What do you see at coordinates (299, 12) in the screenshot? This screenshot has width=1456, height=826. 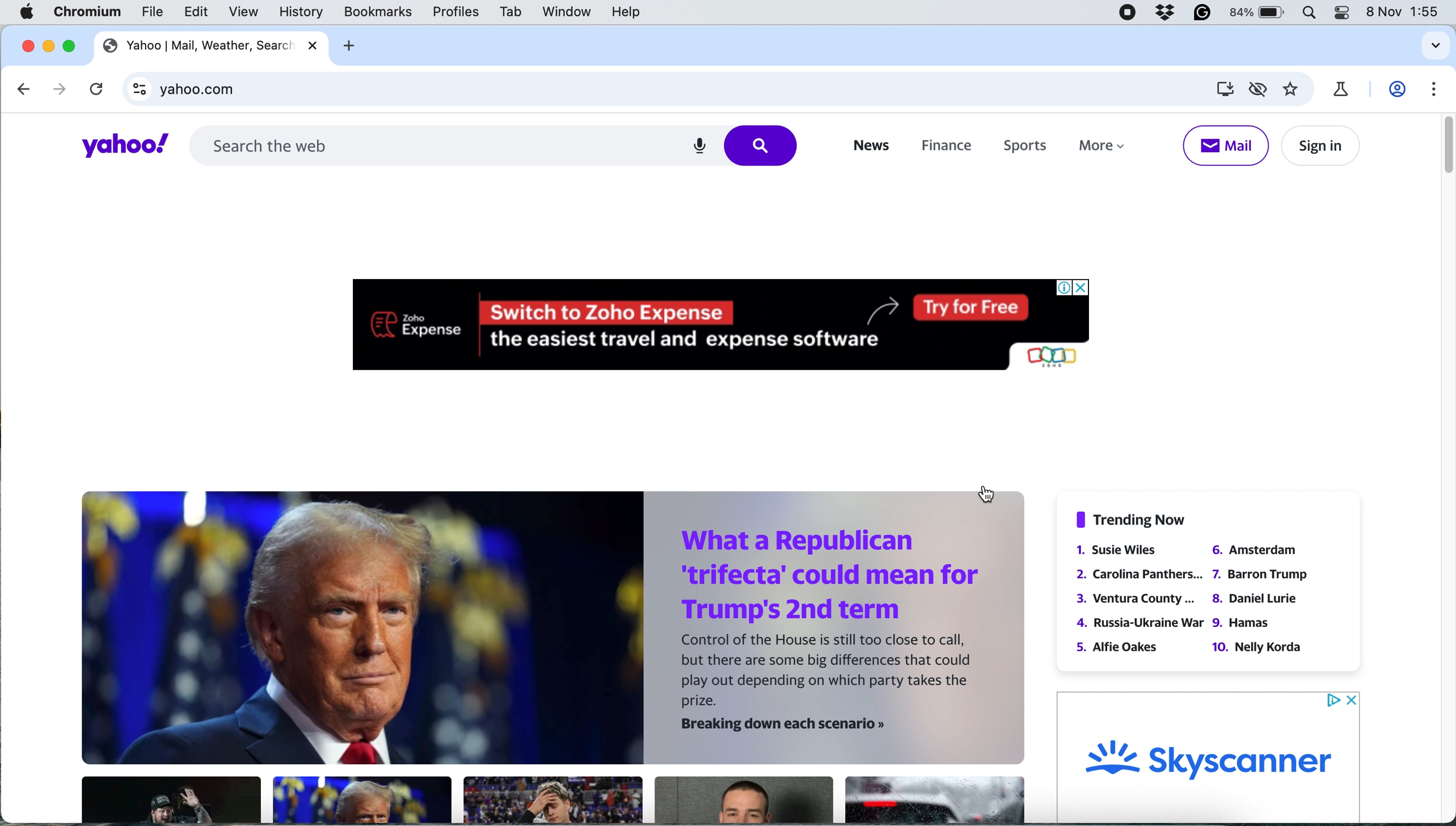 I see `history` at bounding box center [299, 12].